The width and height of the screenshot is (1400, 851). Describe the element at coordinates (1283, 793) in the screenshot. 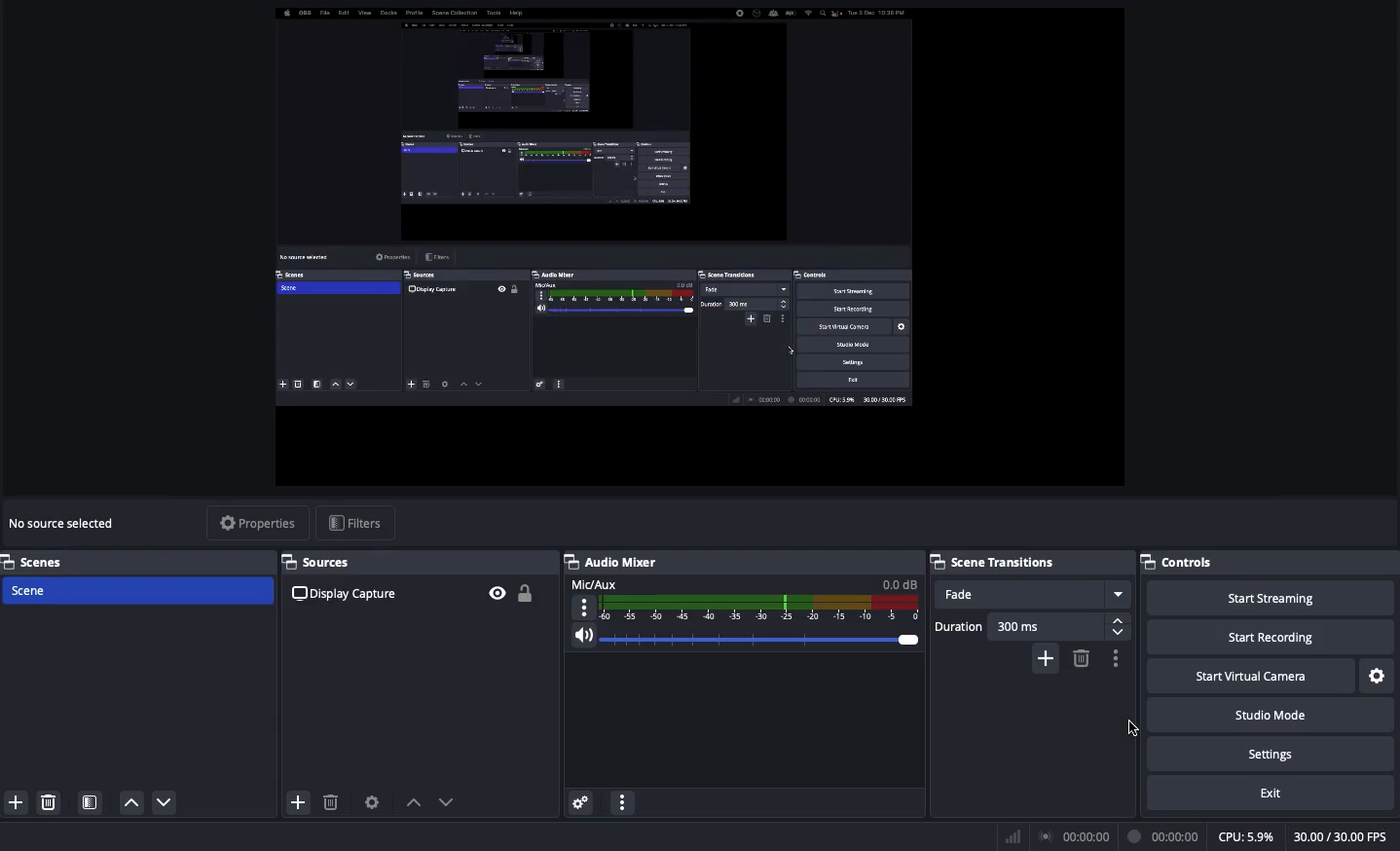

I see `Exit` at that location.